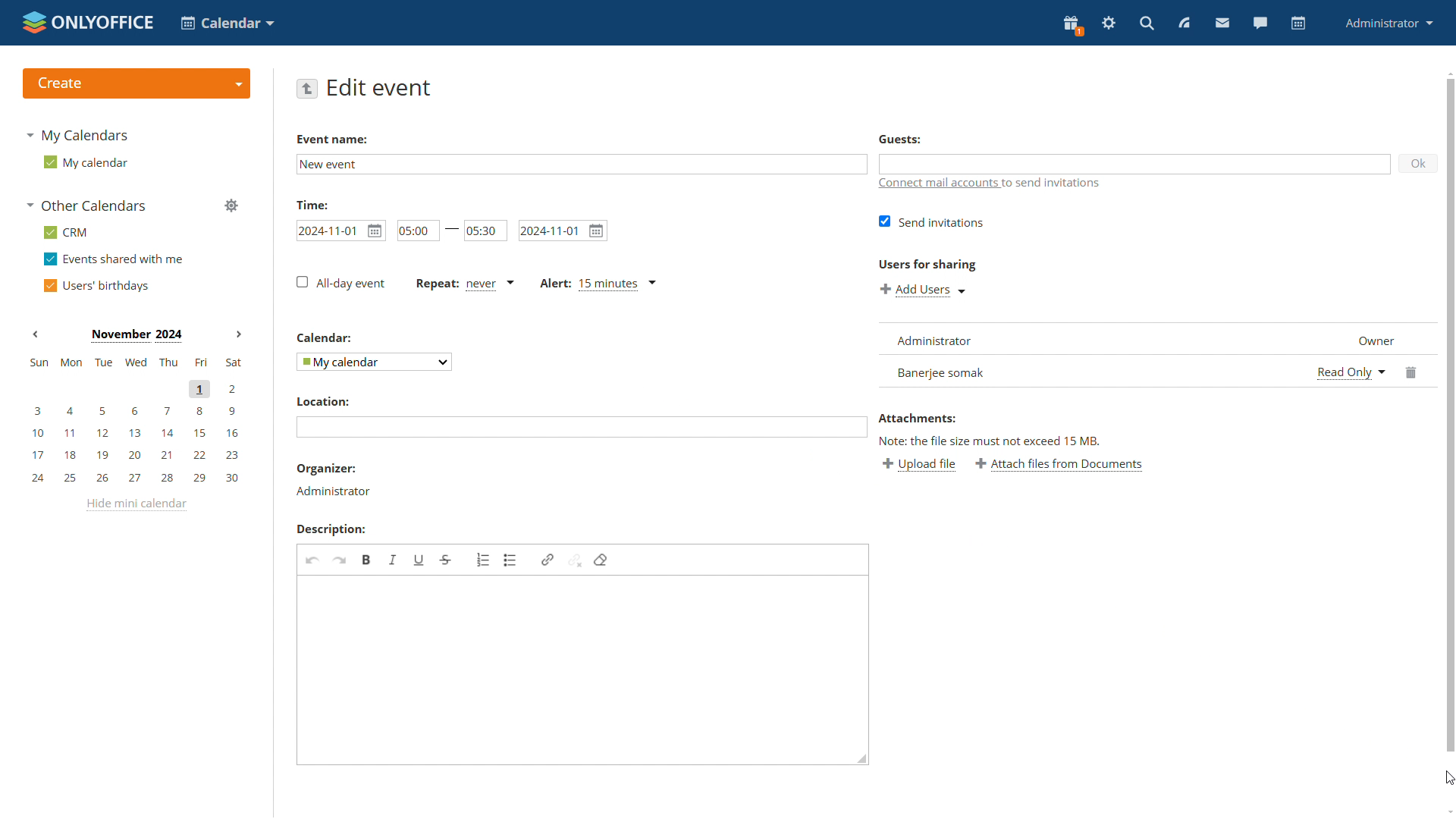  Describe the element at coordinates (340, 282) in the screenshot. I see `all-day event checkboz` at that location.